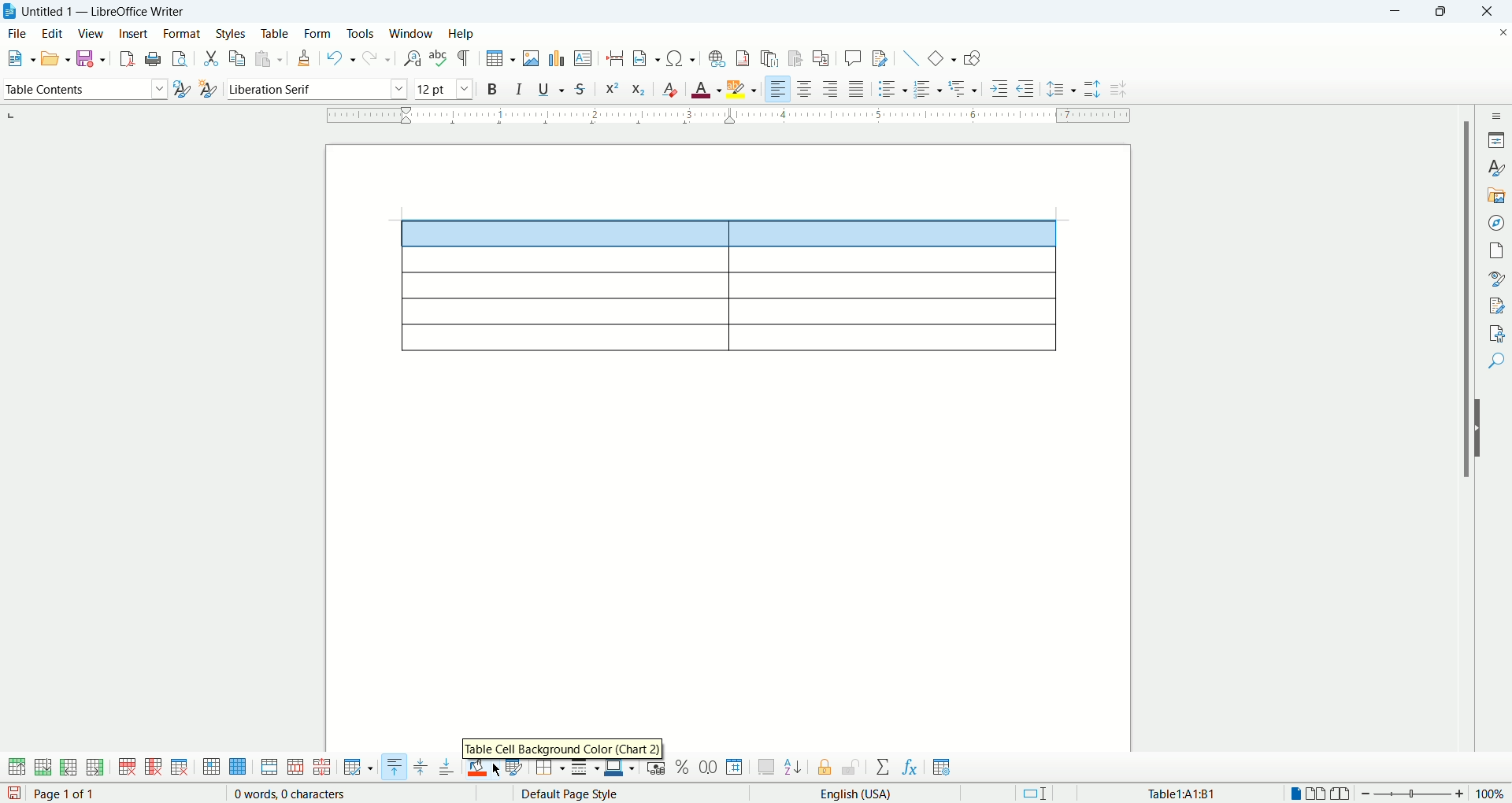  What do you see at coordinates (70, 766) in the screenshot?
I see `insert column before` at bounding box center [70, 766].